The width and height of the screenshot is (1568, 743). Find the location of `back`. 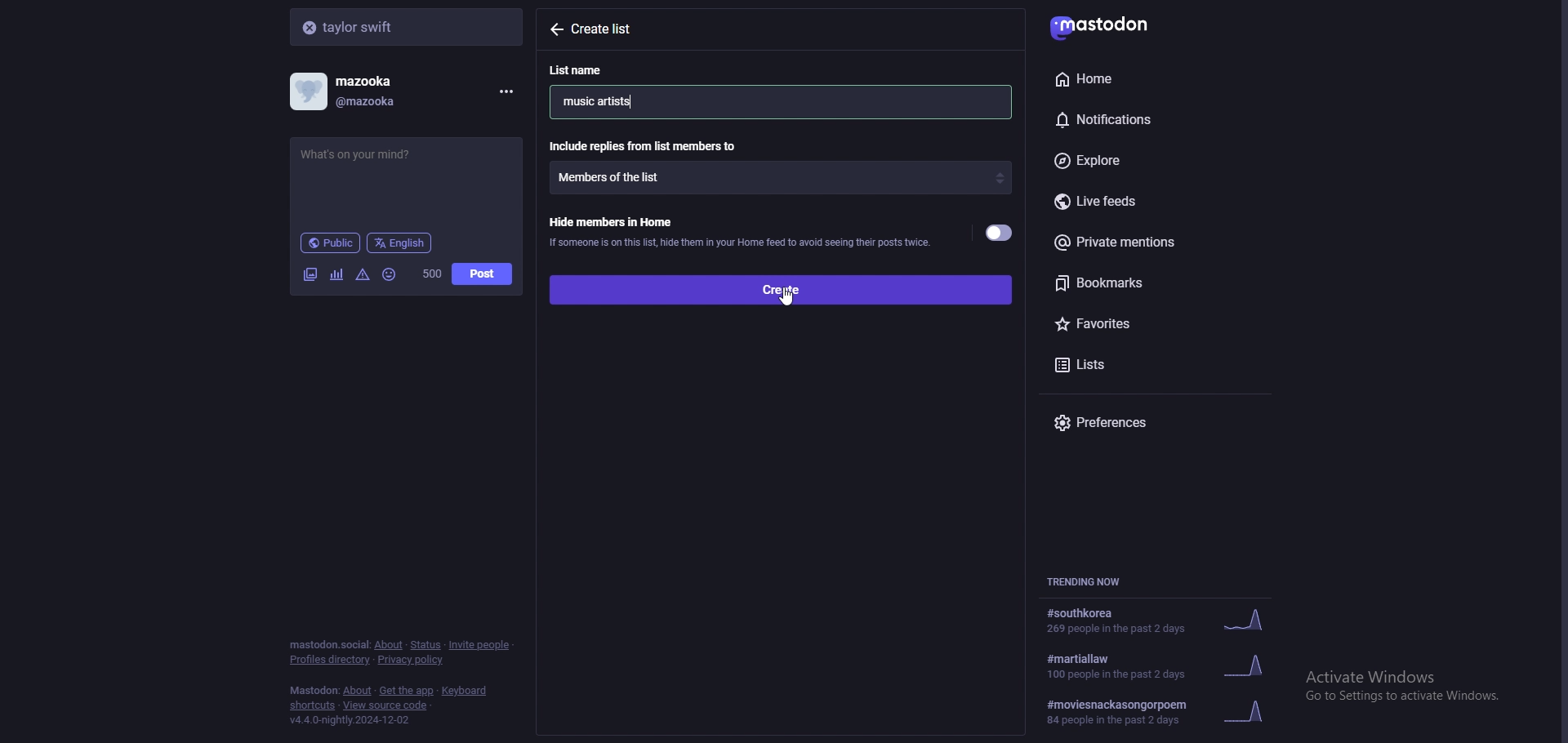

back is located at coordinates (555, 29).